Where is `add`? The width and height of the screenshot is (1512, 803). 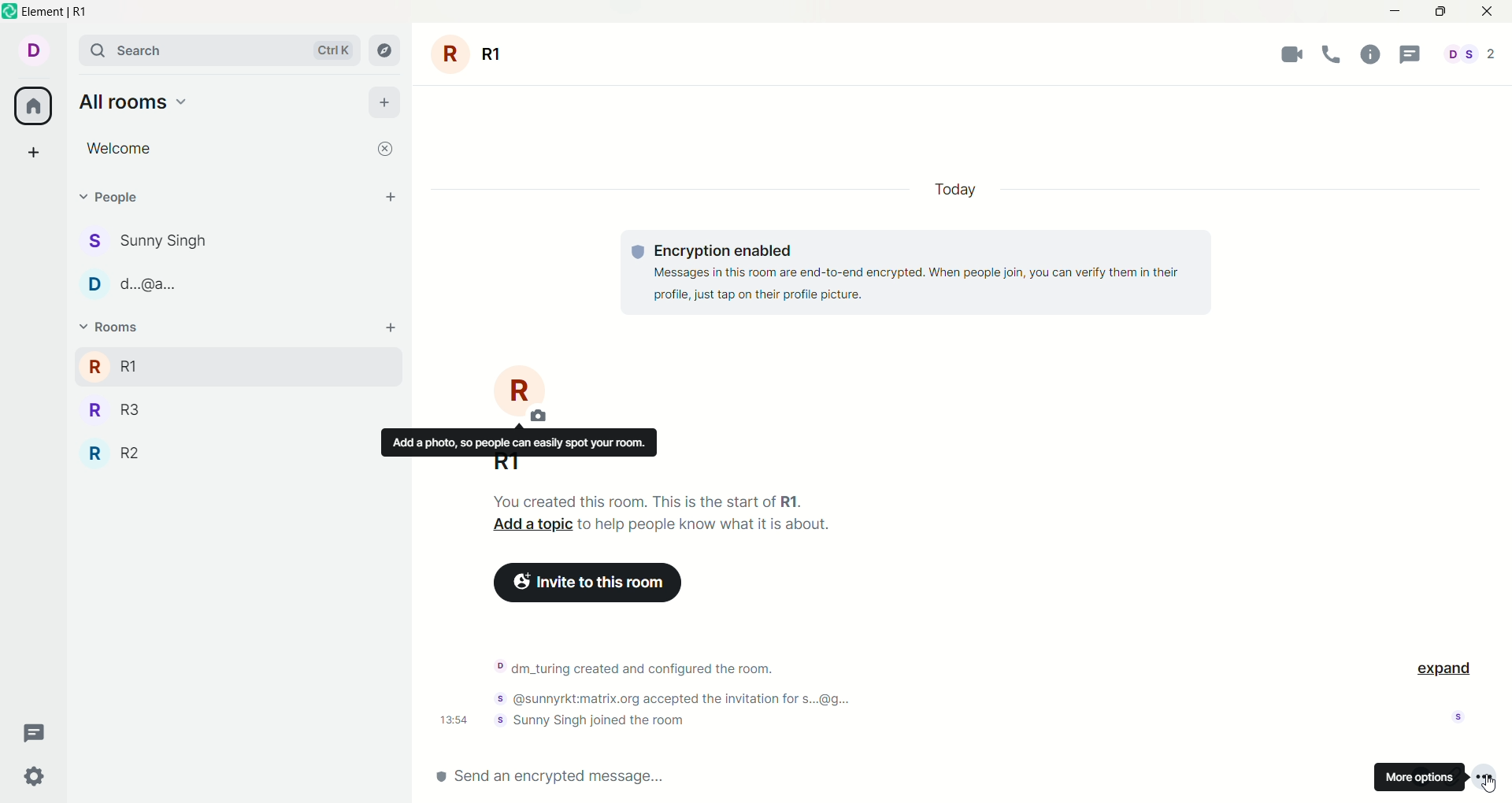
add is located at coordinates (385, 103).